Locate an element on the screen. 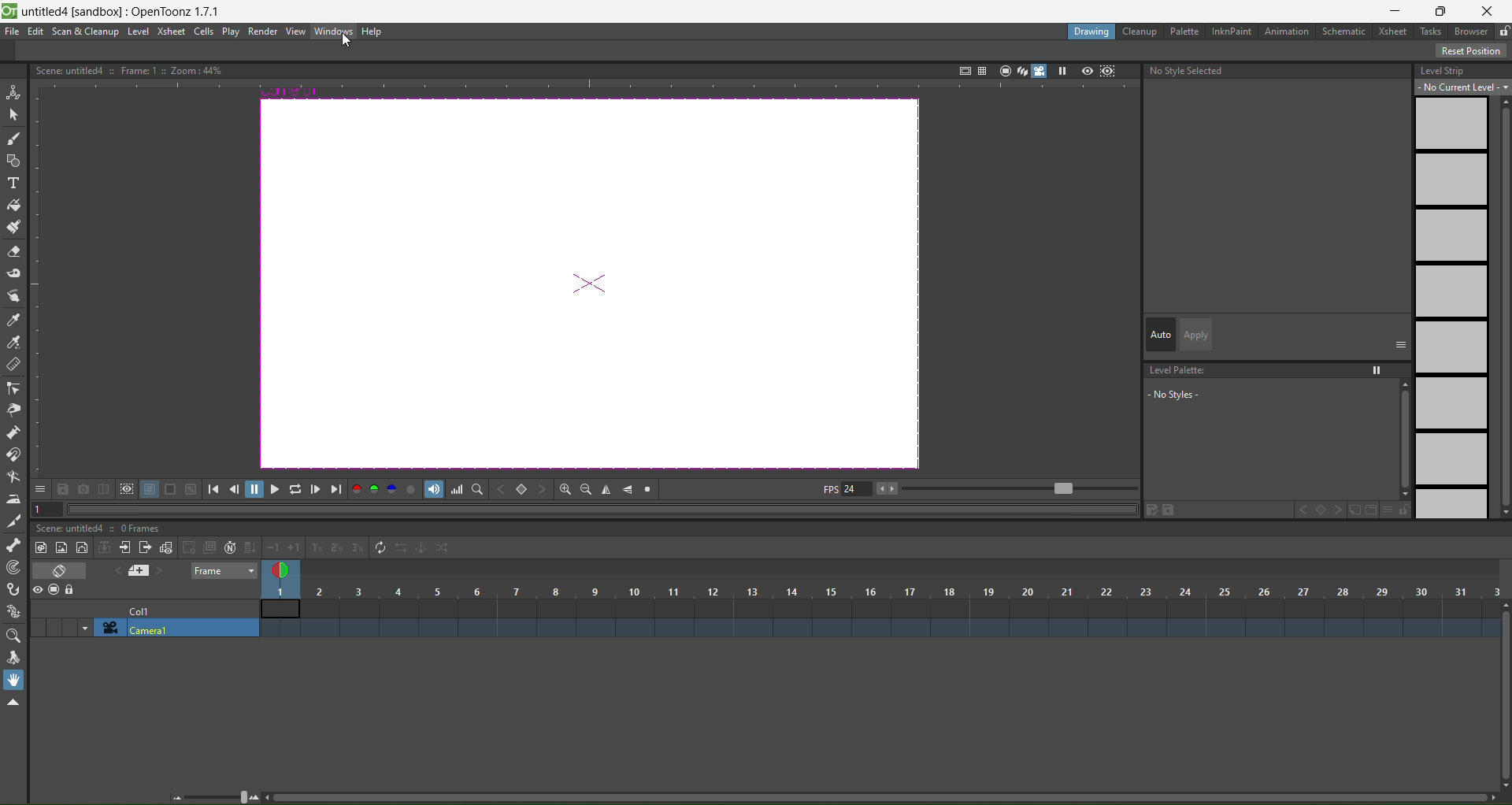 This screenshot has width=1512, height=805. close is located at coordinates (1492, 9).